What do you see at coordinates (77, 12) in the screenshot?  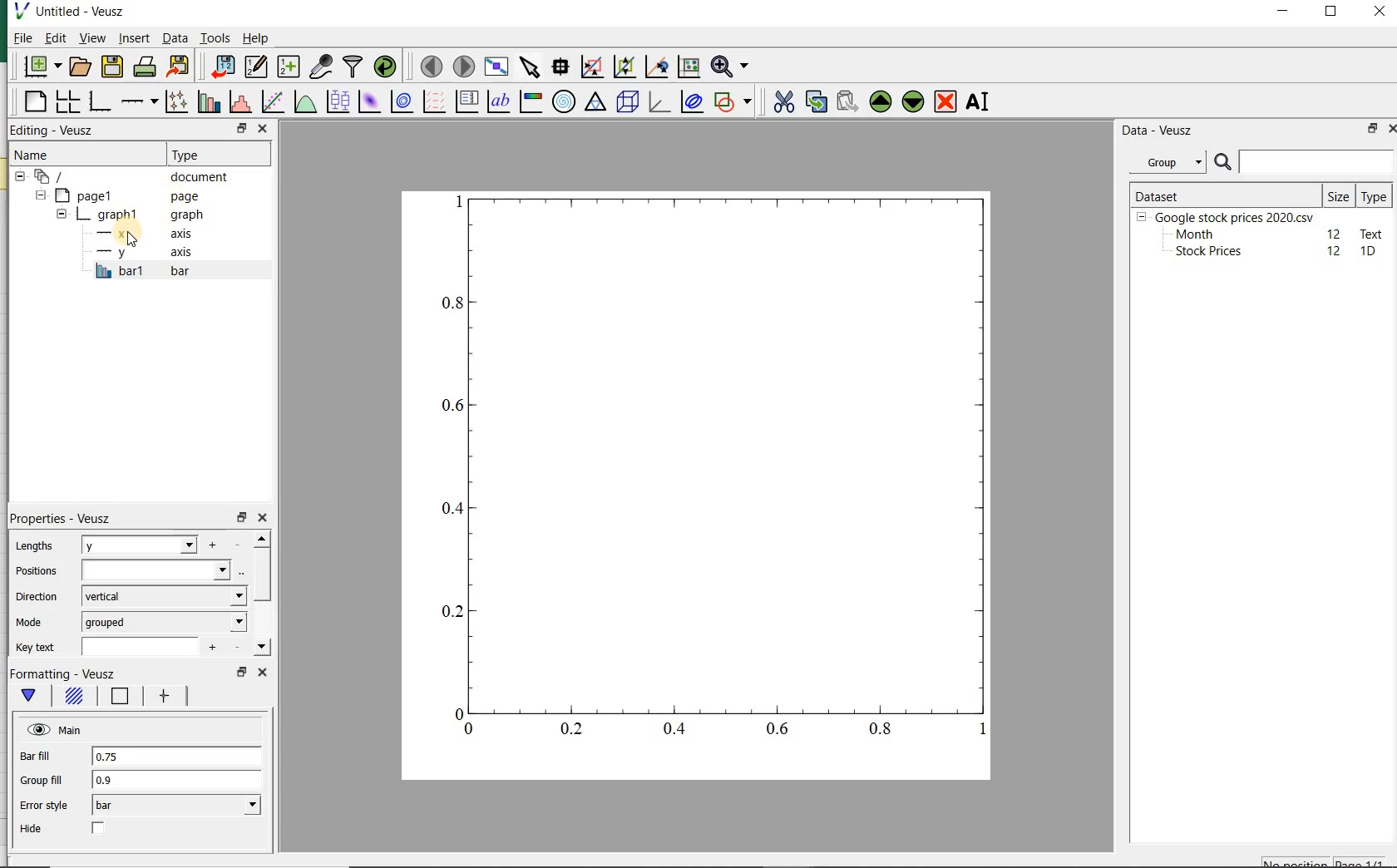 I see `Untitled-Veusz` at bounding box center [77, 12].